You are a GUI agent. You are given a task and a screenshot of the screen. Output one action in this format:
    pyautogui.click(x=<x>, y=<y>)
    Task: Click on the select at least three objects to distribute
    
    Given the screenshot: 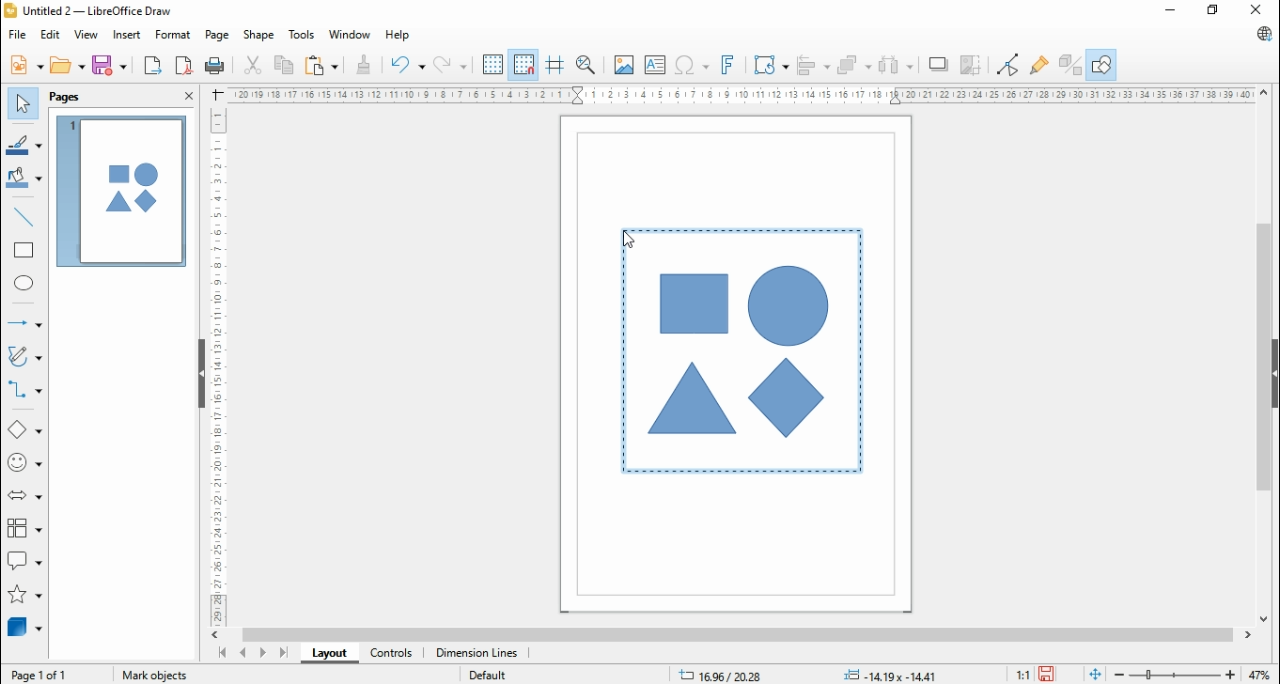 What is the action you would take?
    pyautogui.click(x=895, y=66)
    